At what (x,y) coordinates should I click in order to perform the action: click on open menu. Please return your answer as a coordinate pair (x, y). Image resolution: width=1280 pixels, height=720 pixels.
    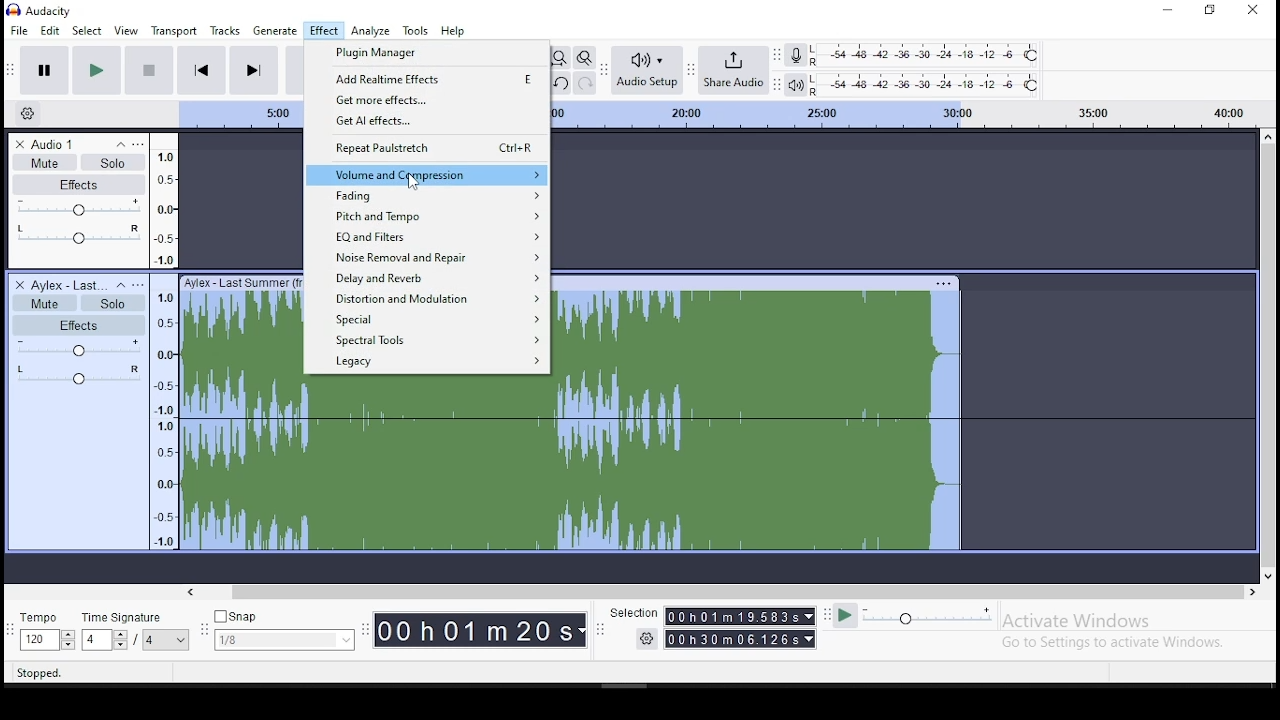
    Looking at the image, I should click on (138, 284).